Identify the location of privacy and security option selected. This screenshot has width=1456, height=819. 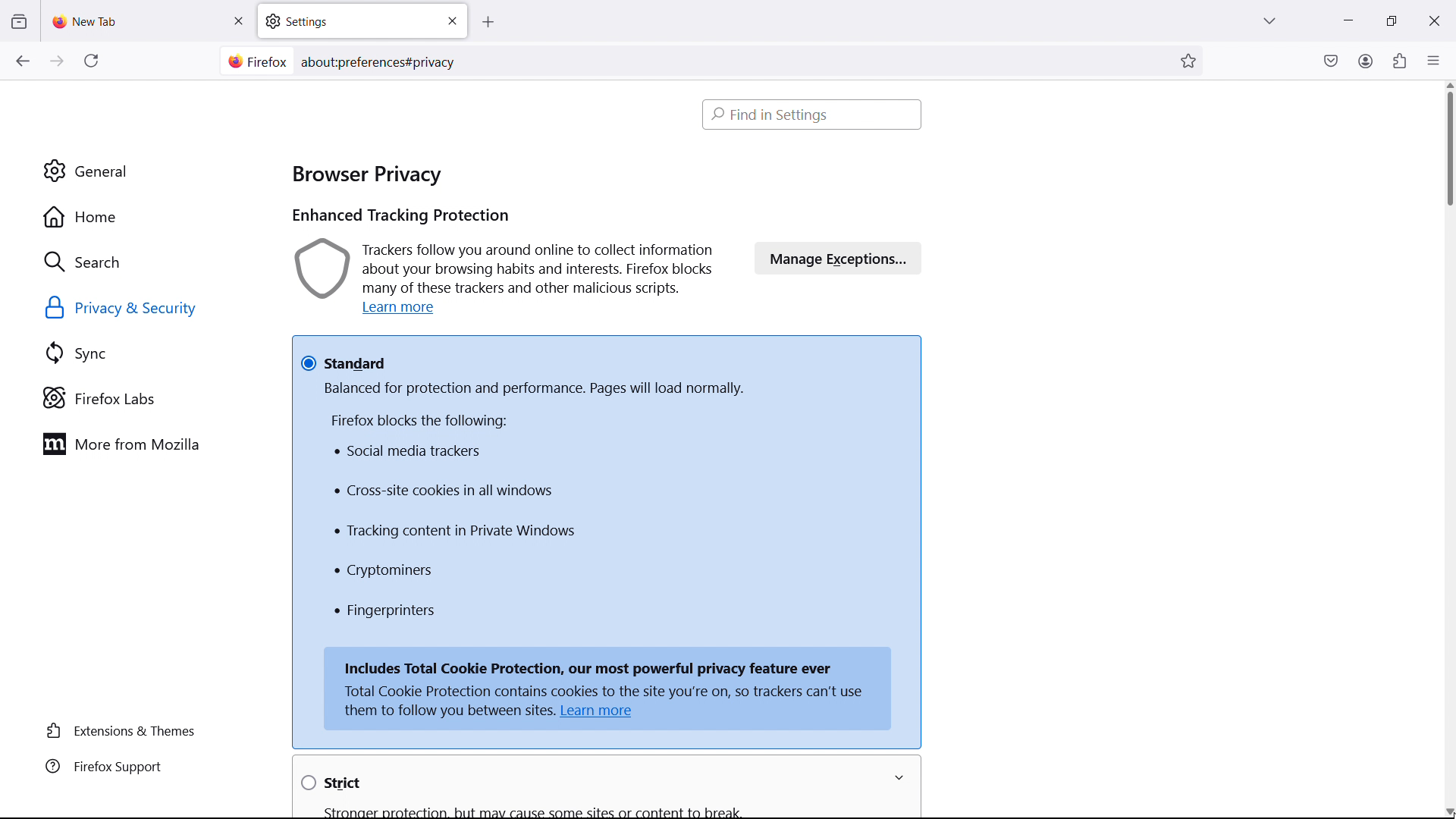
(139, 309).